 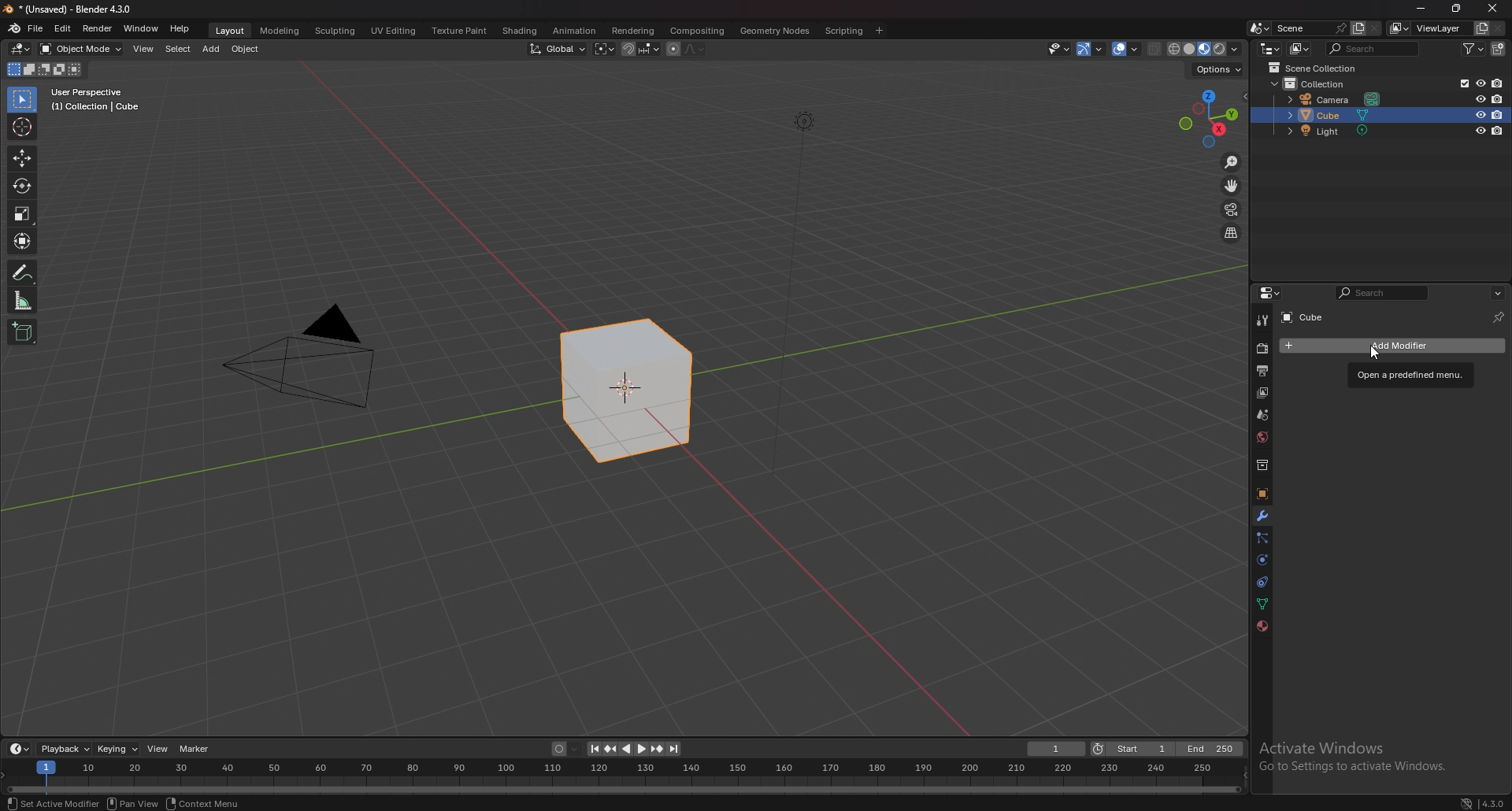 What do you see at coordinates (68, 9) in the screenshot?
I see `title` at bounding box center [68, 9].